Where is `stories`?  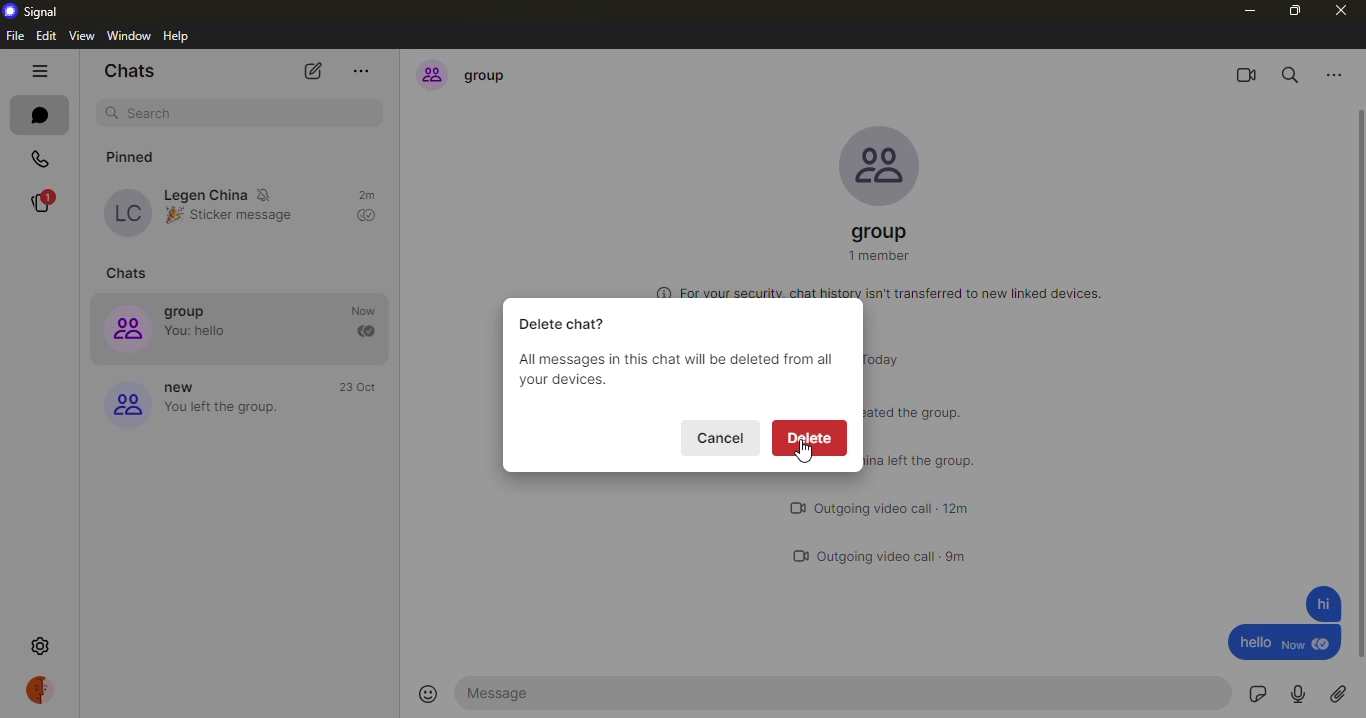 stories is located at coordinates (43, 196).